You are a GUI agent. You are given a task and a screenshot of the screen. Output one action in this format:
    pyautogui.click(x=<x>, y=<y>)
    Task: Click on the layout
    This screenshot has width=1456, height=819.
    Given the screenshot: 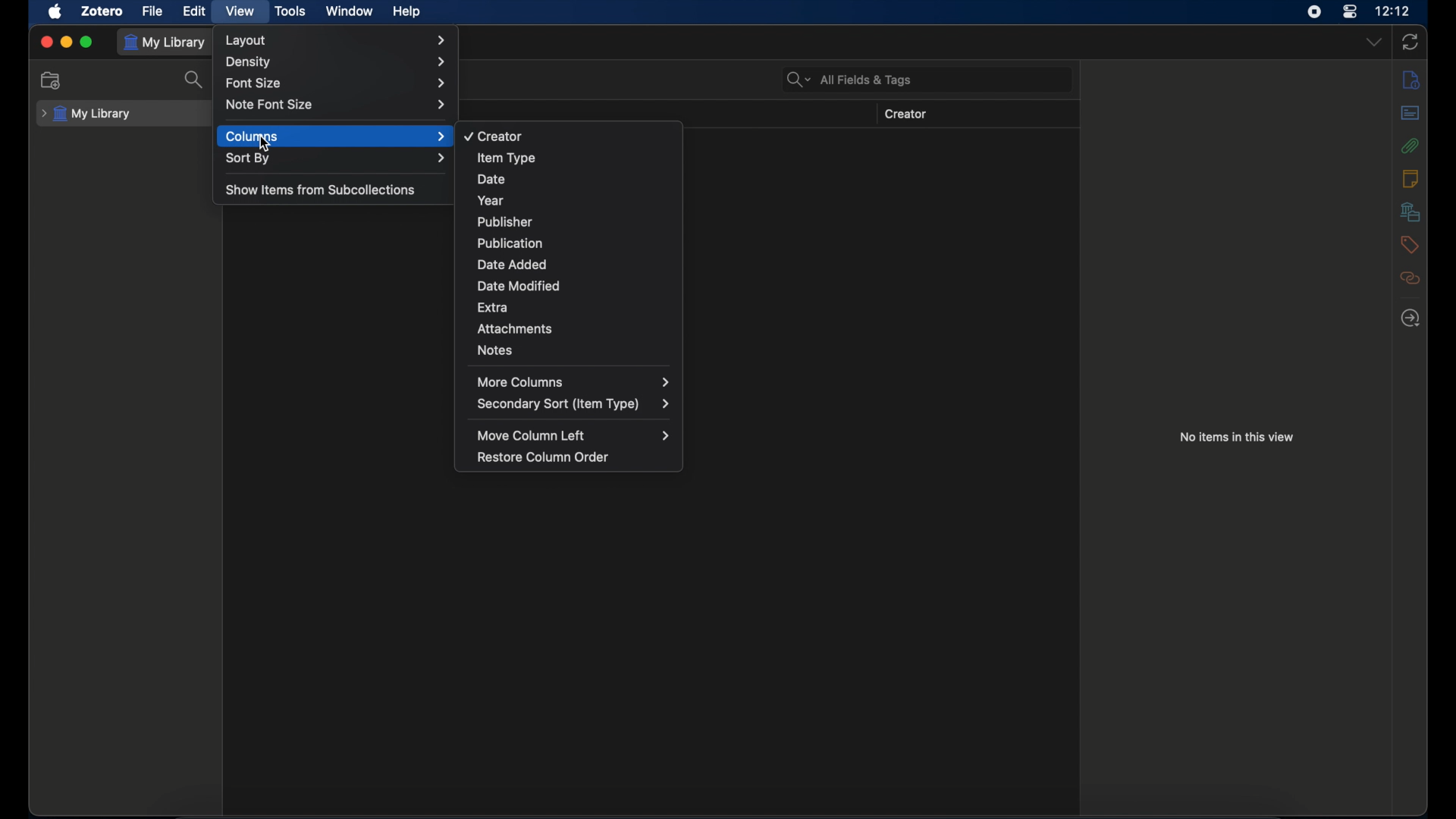 What is the action you would take?
    pyautogui.click(x=337, y=40)
    